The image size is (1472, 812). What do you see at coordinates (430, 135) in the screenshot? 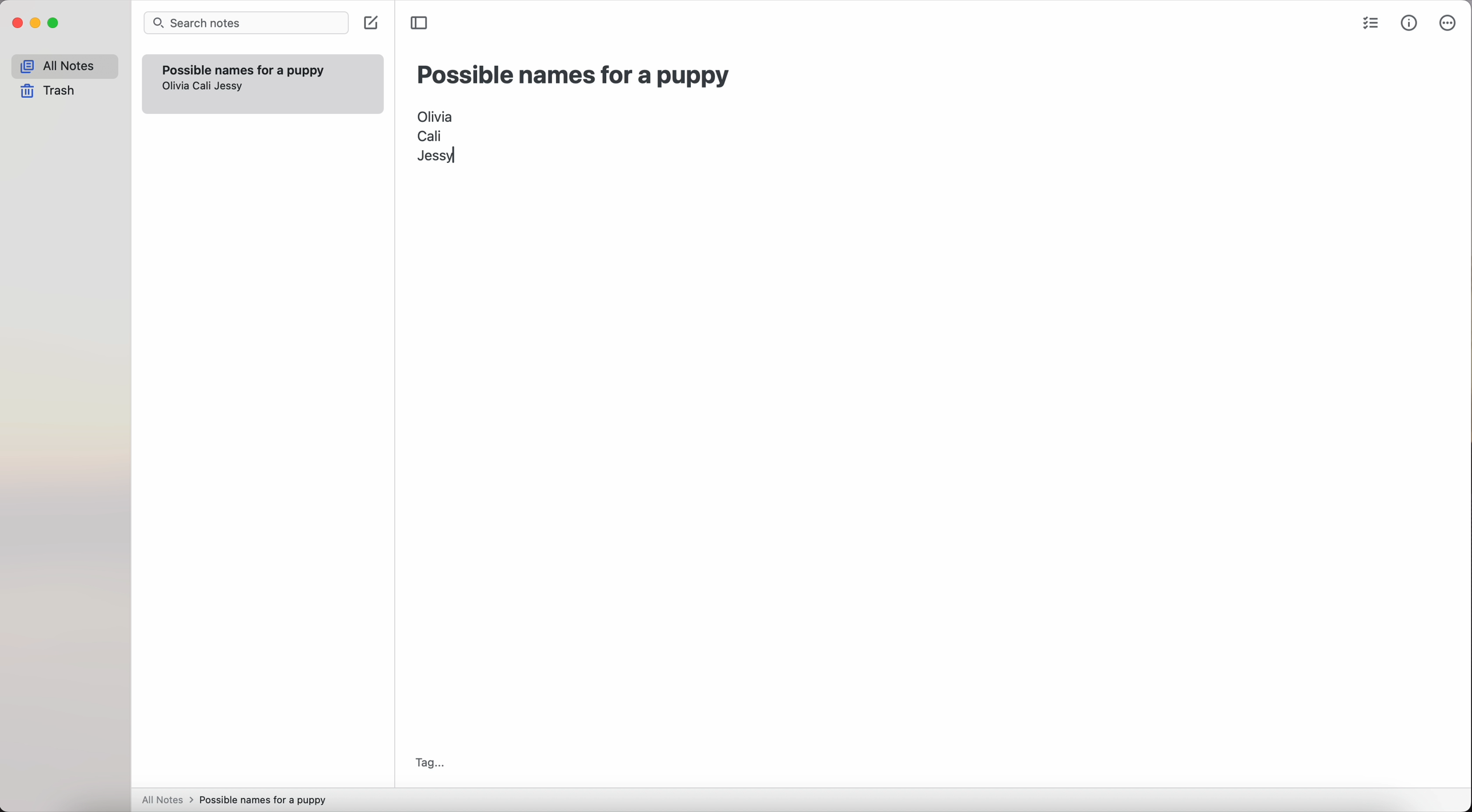
I see `Cali` at bounding box center [430, 135].